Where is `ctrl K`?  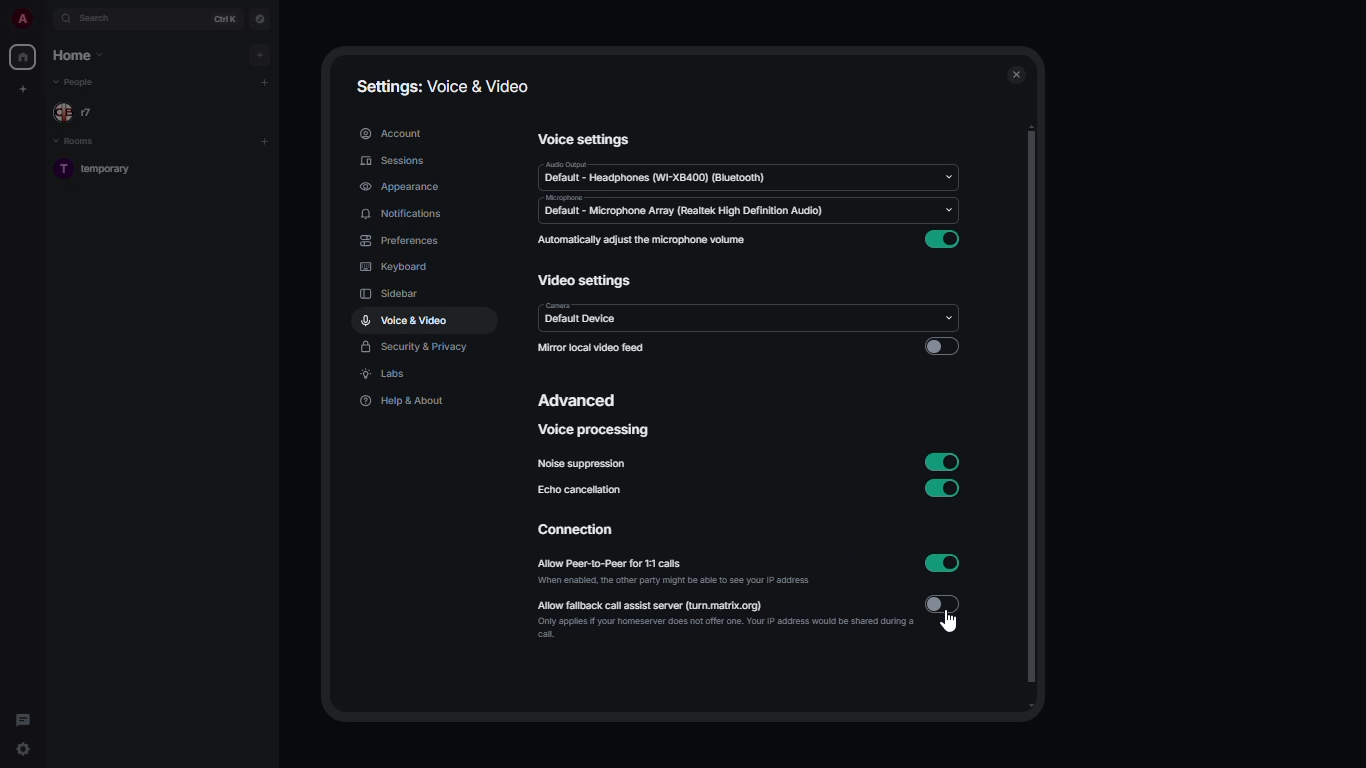 ctrl K is located at coordinates (227, 18).